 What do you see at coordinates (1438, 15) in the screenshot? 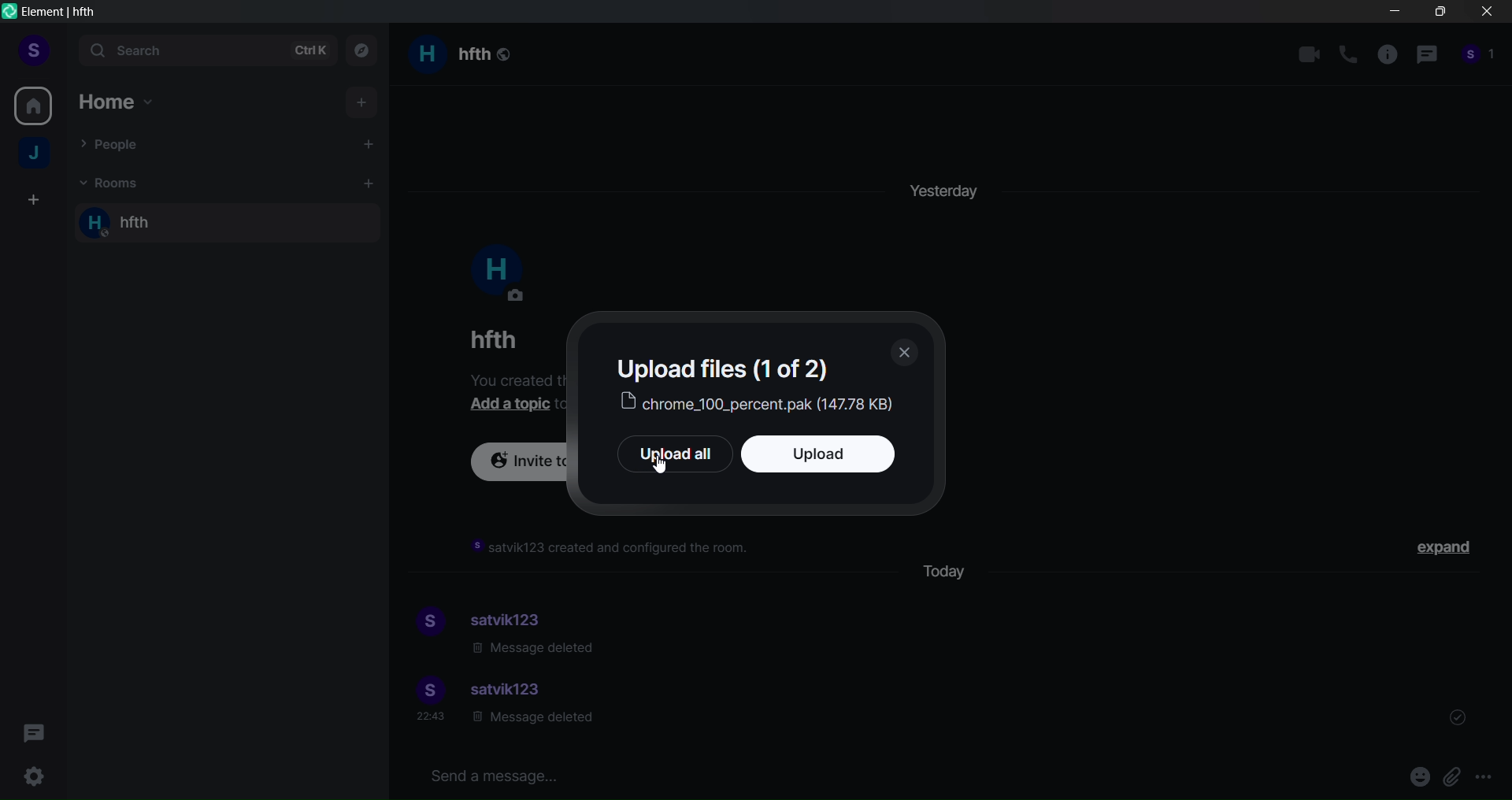
I see `maximize` at bounding box center [1438, 15].